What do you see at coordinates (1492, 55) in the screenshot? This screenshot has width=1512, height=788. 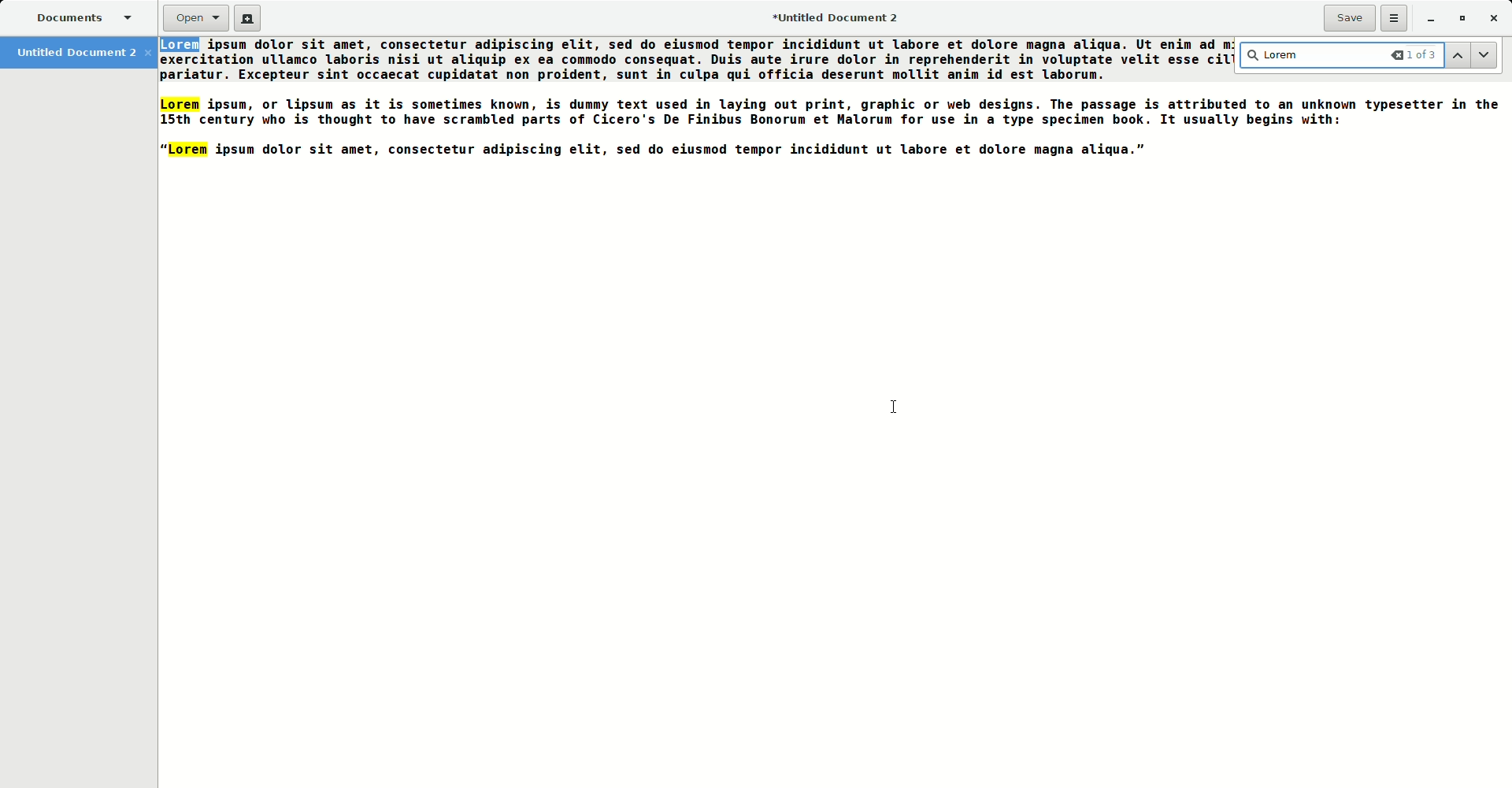 I see `Down` at bounding box center [1492, 55].